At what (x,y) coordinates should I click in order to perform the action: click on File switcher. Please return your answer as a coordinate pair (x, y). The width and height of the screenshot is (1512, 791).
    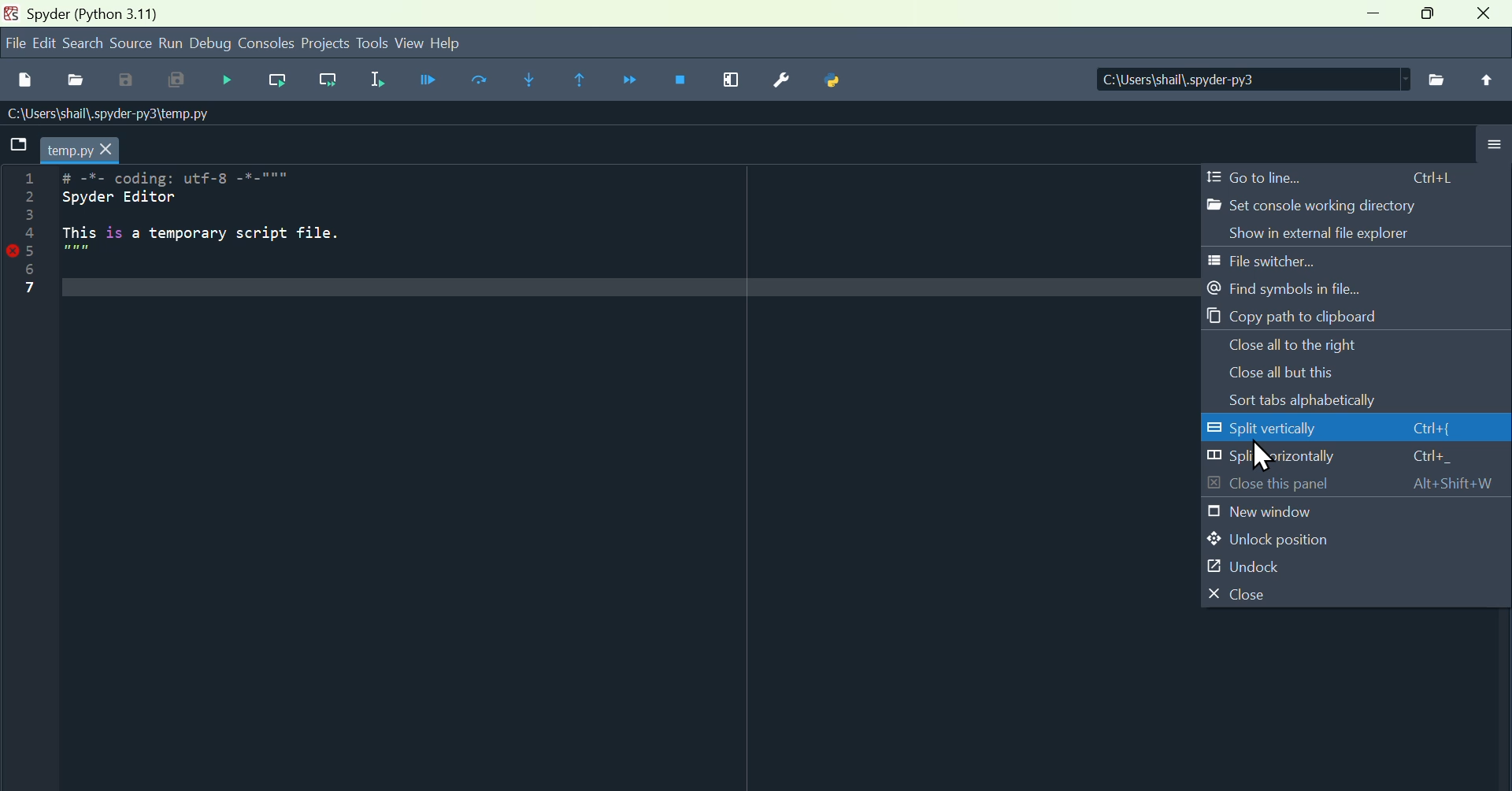
    Looking at the image, I should click on (1318, 261).